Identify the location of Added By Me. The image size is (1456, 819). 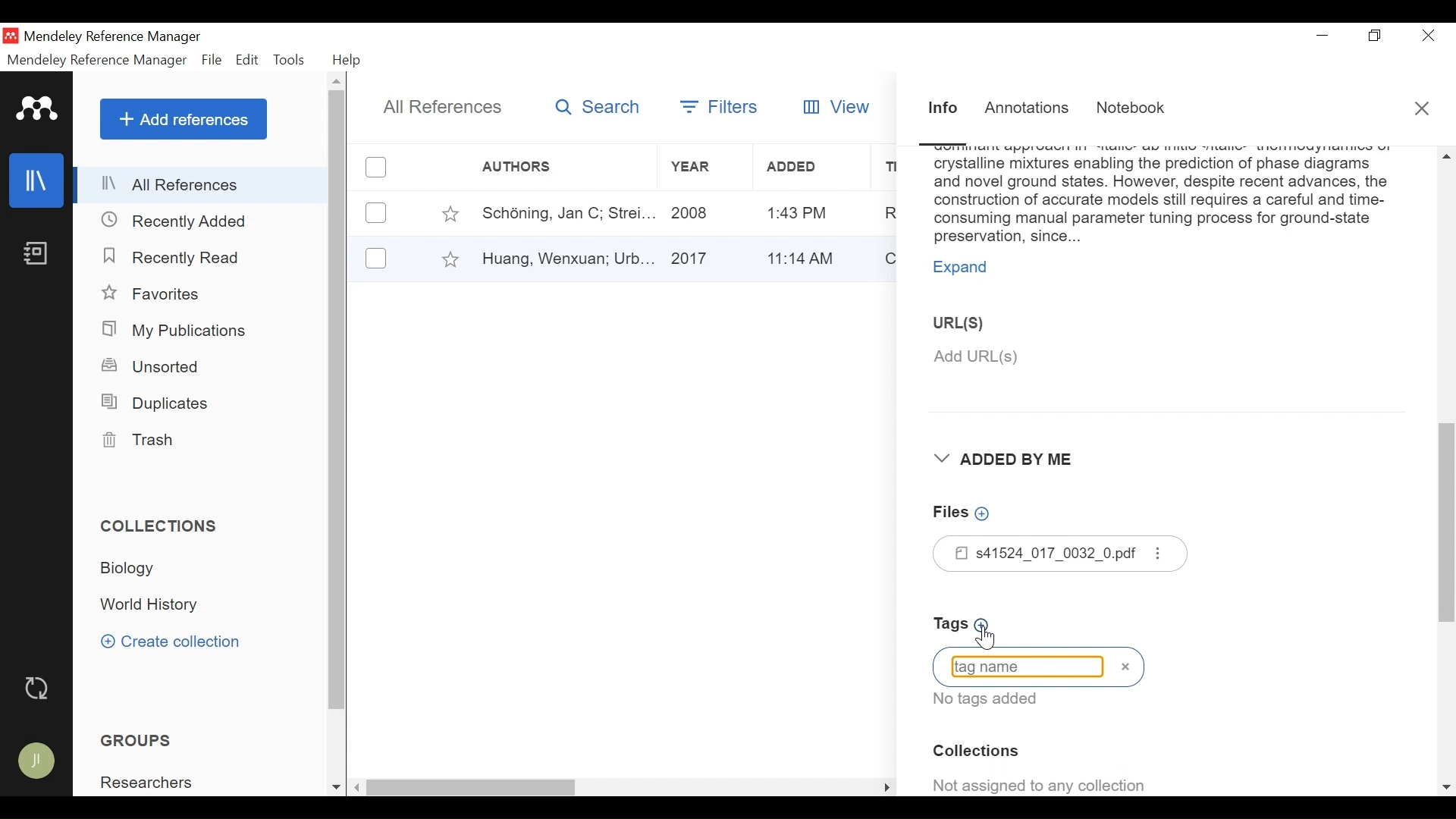
(1013, 460).